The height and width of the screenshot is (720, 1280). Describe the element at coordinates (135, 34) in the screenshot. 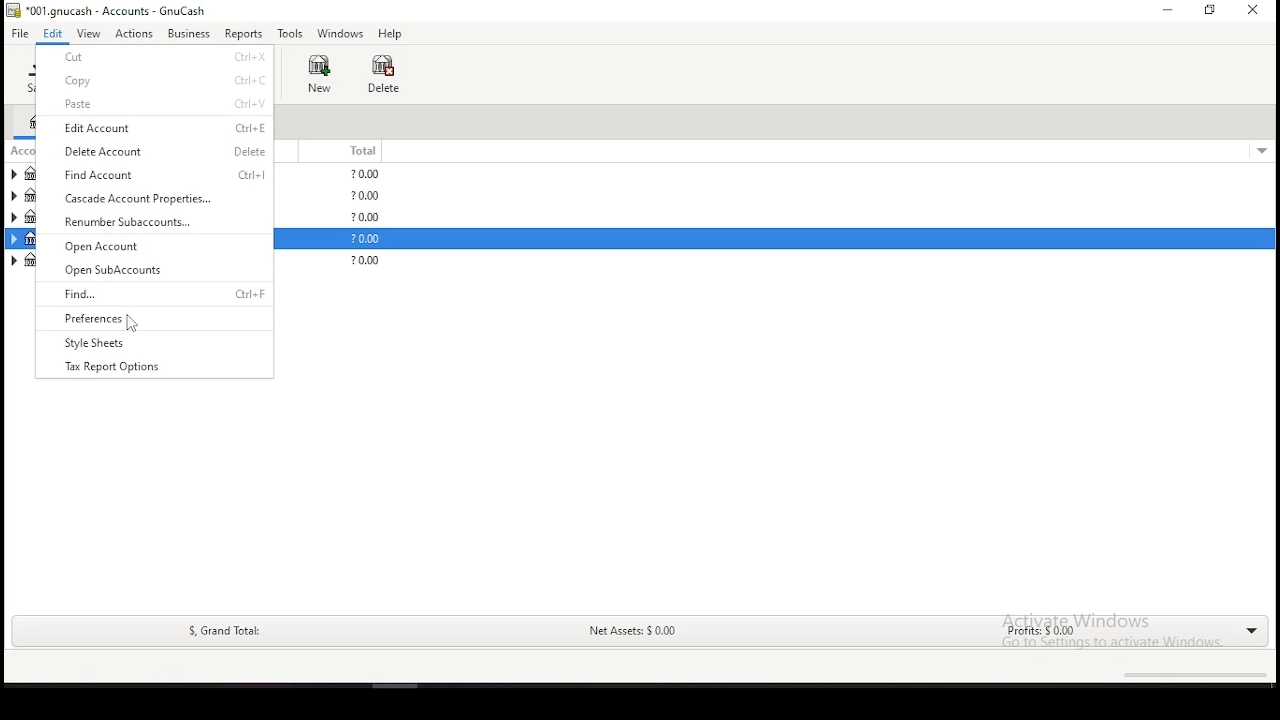

I see `actions` at that location.